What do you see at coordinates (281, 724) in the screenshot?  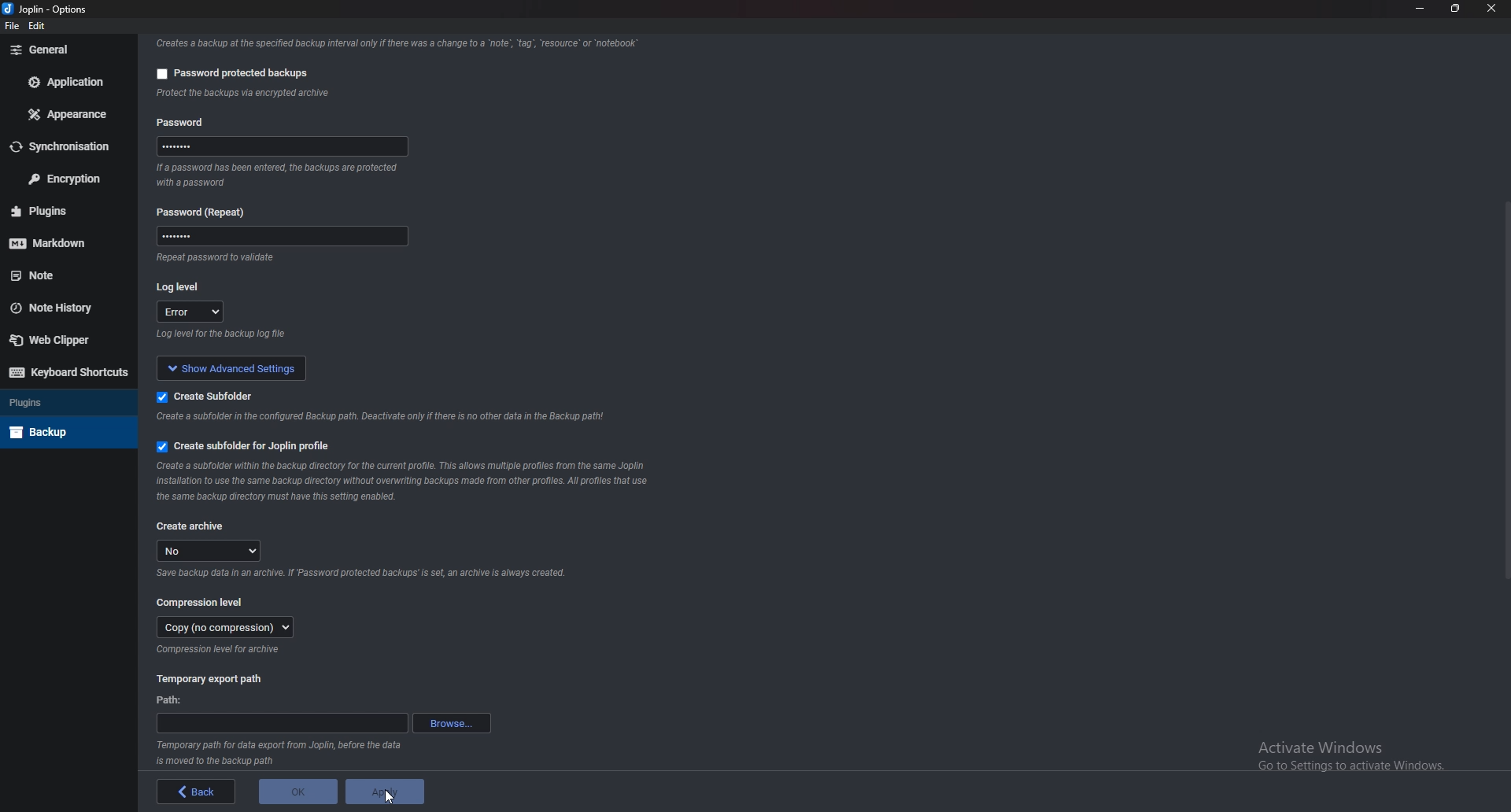 I see `path` at bounding box center [281, 724].